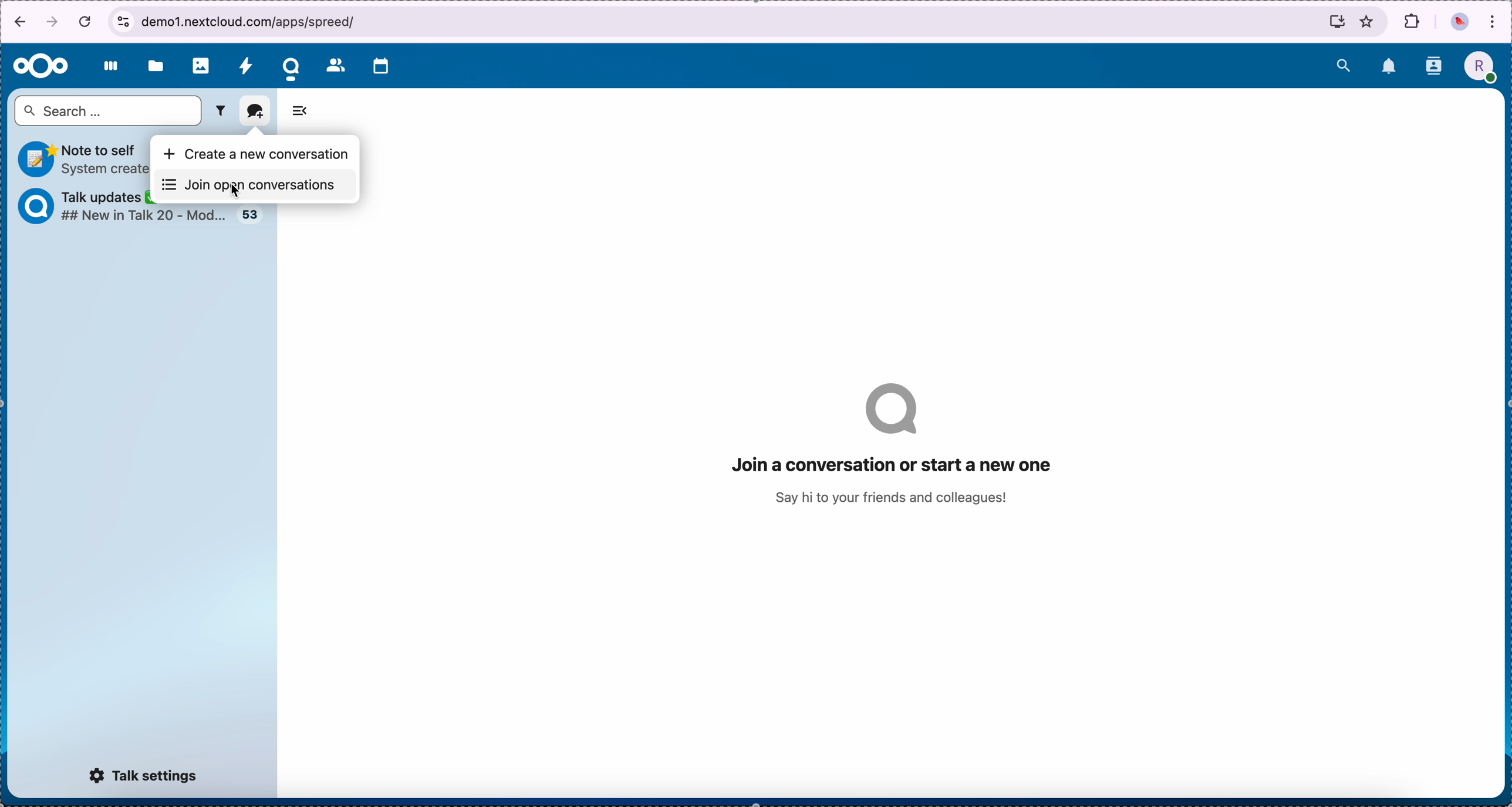 The image size is (1512, 807). I want to click on browser bar, so click(752, 22).